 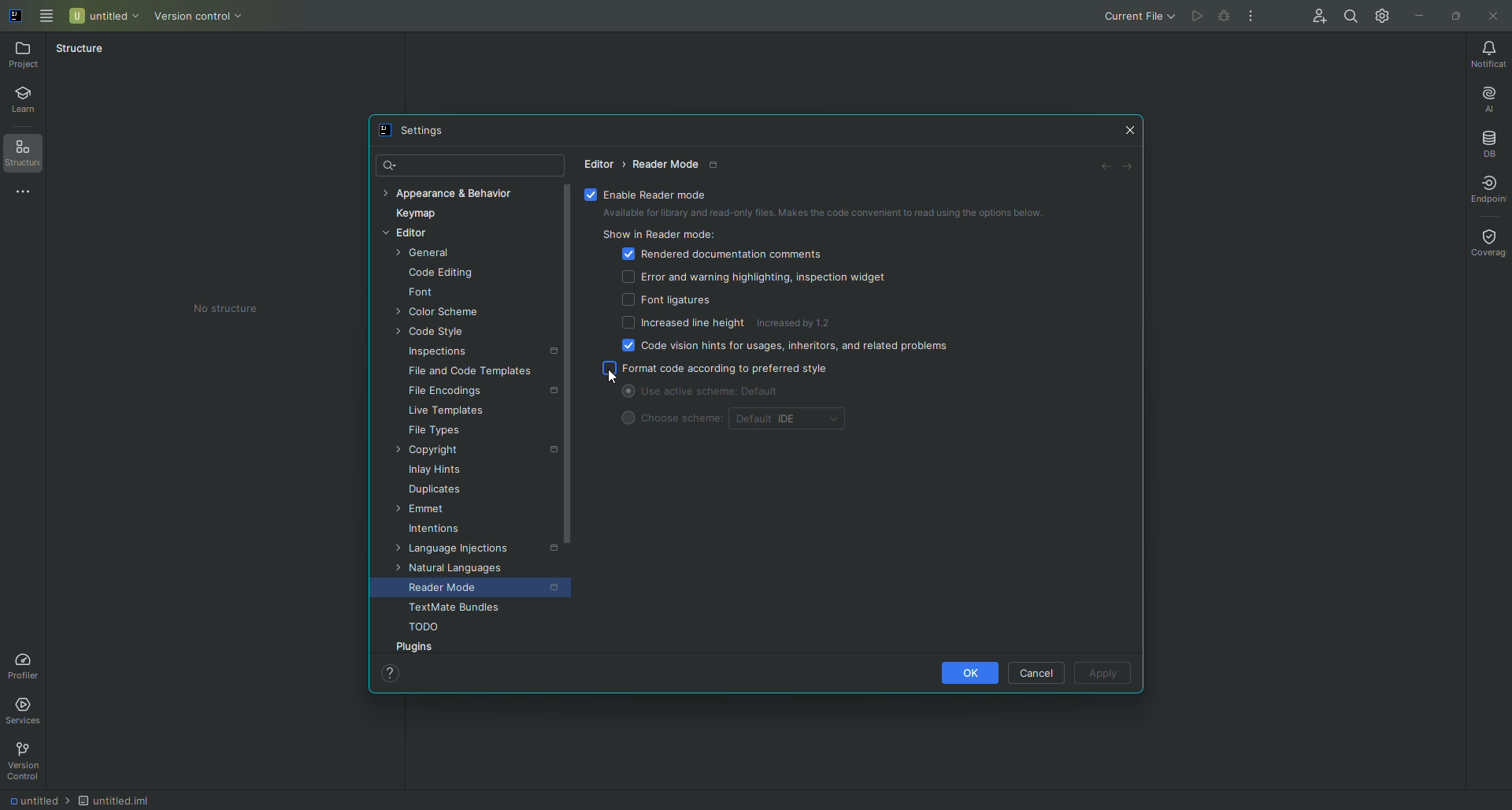 I want to click on Reader mode, so click(x=677, y=165).